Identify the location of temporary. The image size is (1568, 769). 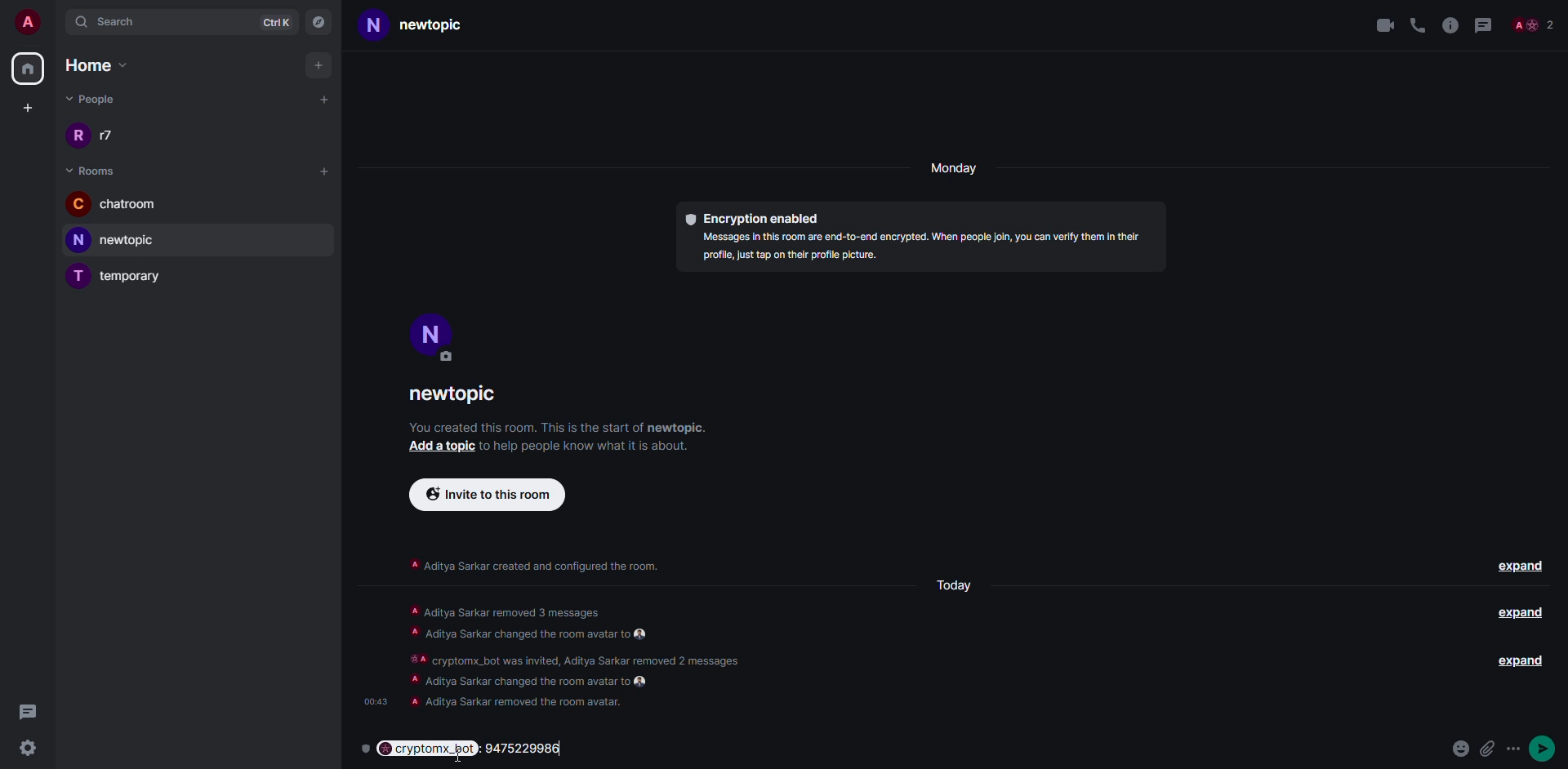
(119, 278).